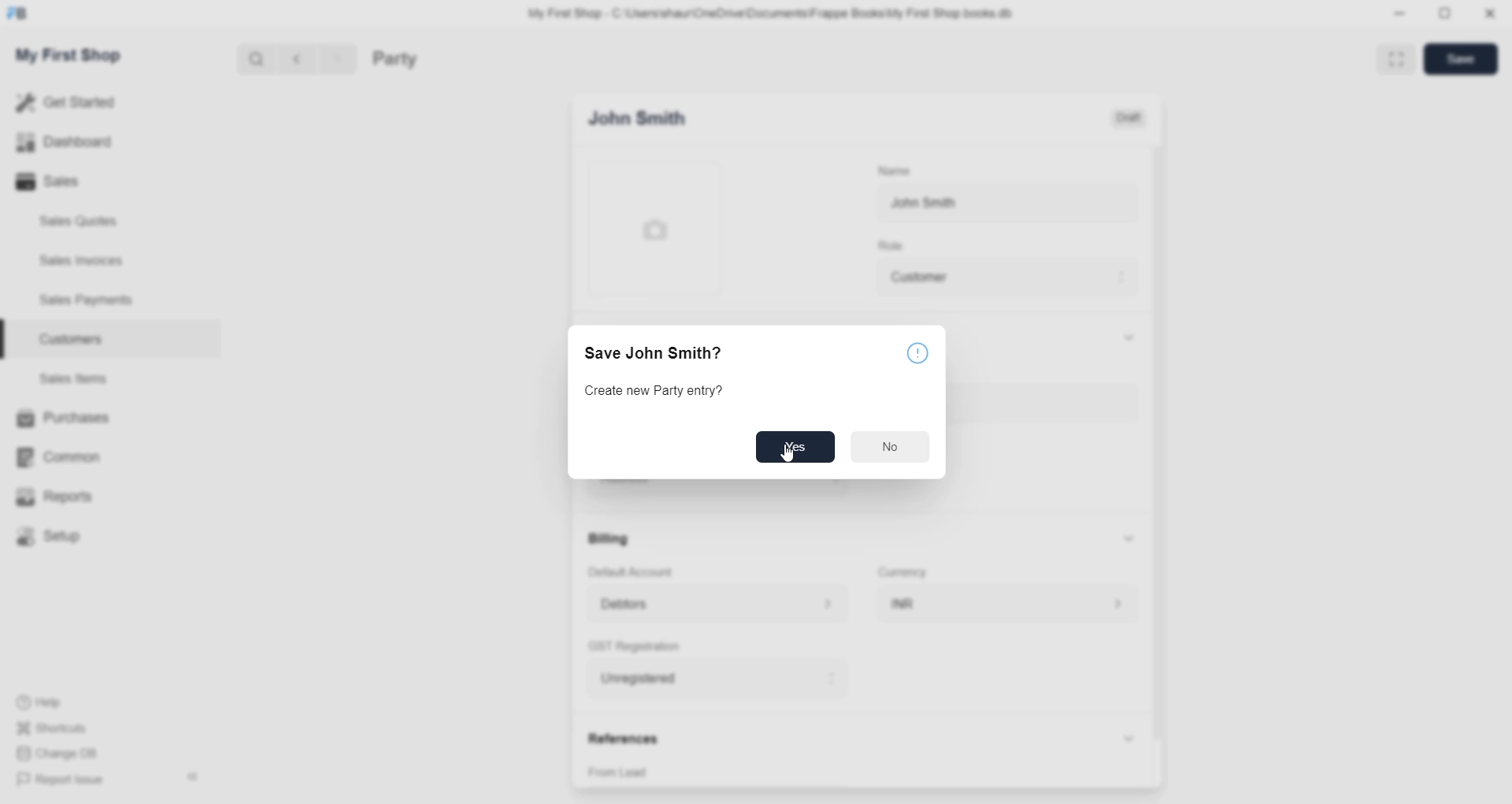 The height and width of the screenshot is (804, 1512). What do you see at coordinates (1488, 14) in the screenshot?
I see `close` at bounding box center [1488, 14].